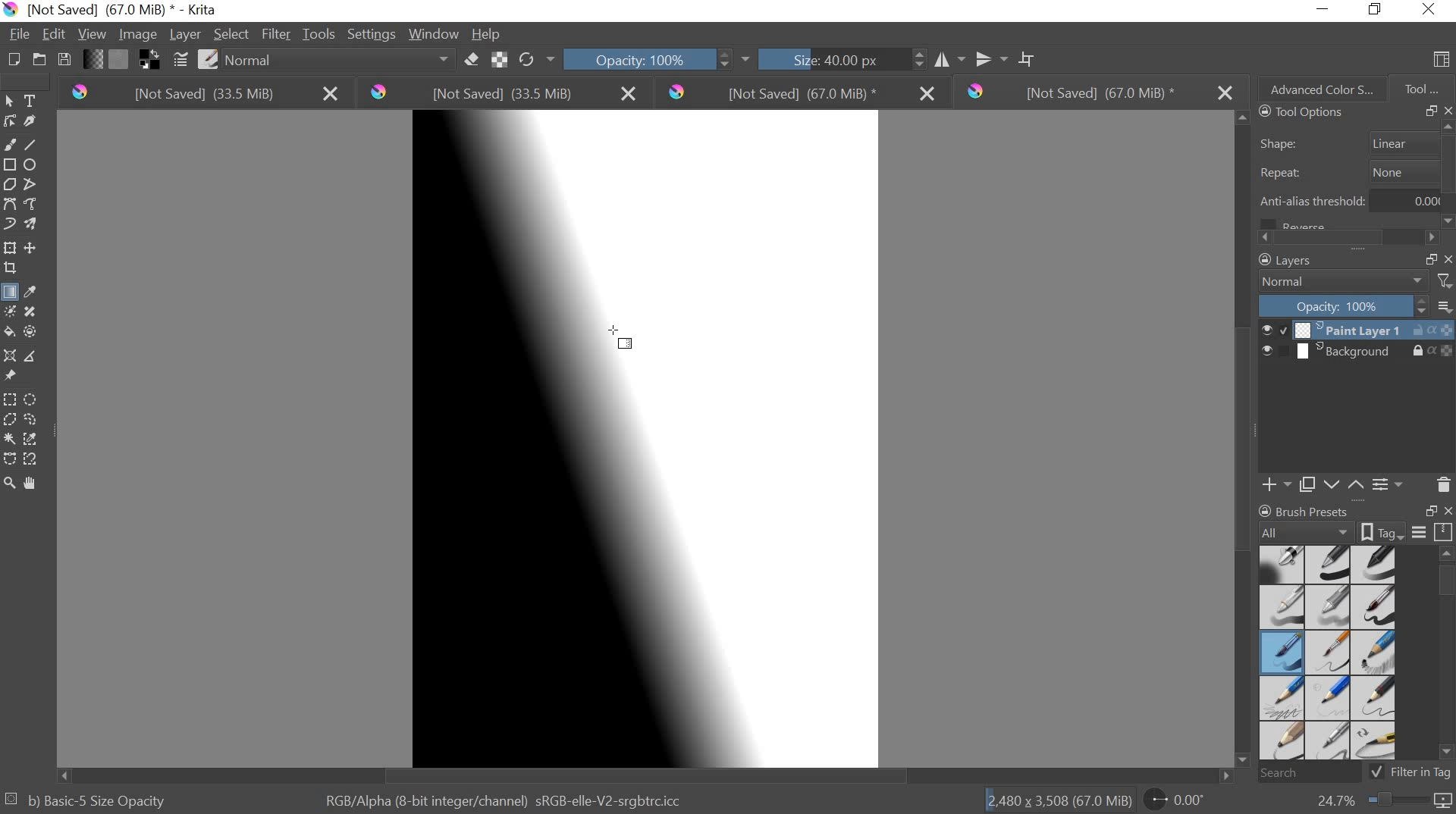 This screenshot has width=1456, height=814. What do you see at coordinates (9, 293) in the screenshot?
I see `gradient fill` at bounding box center [9, 293].